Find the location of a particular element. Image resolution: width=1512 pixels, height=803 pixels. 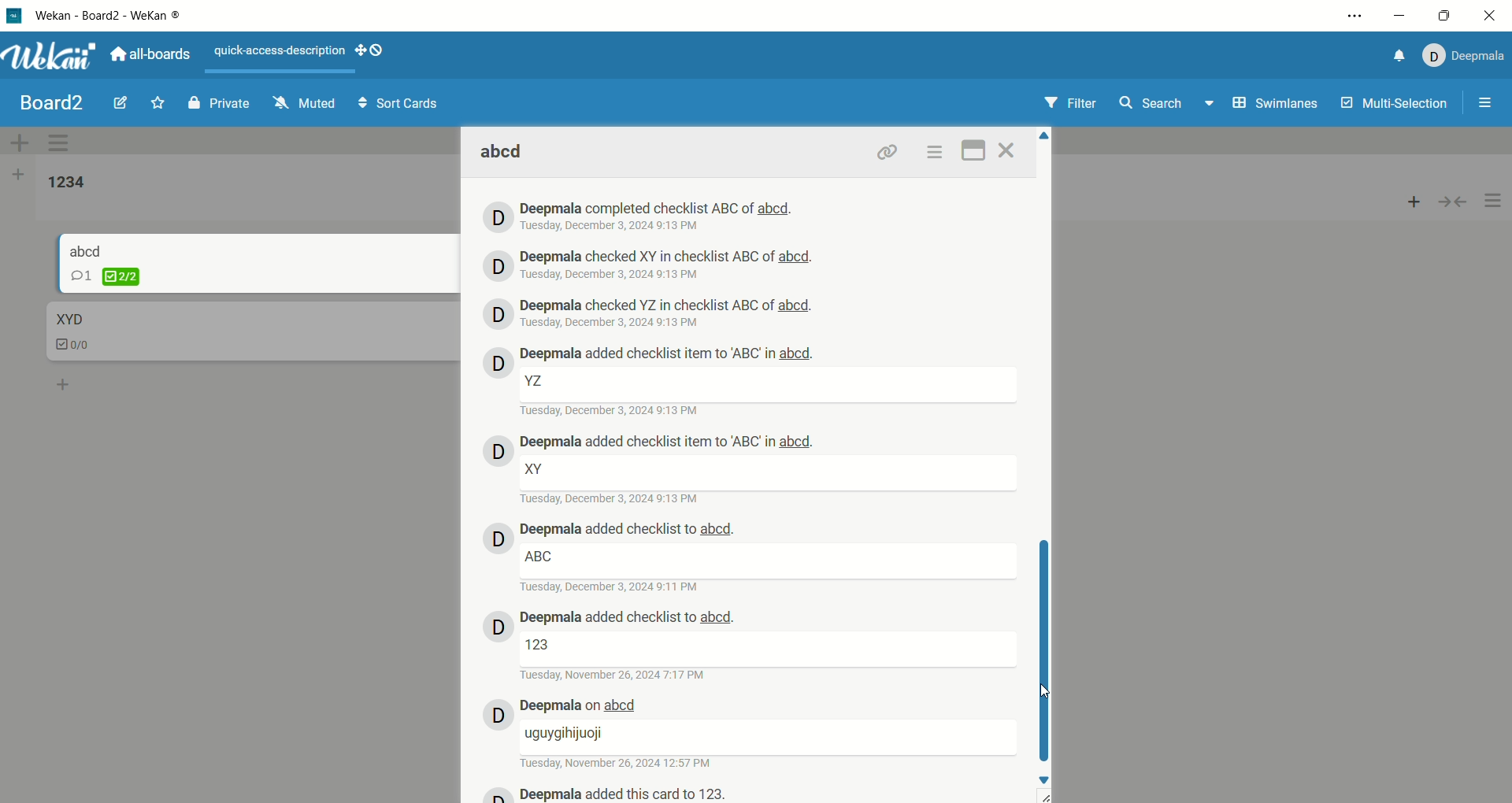

show-desktop-drag-handles is located at coordinates (372, 50).